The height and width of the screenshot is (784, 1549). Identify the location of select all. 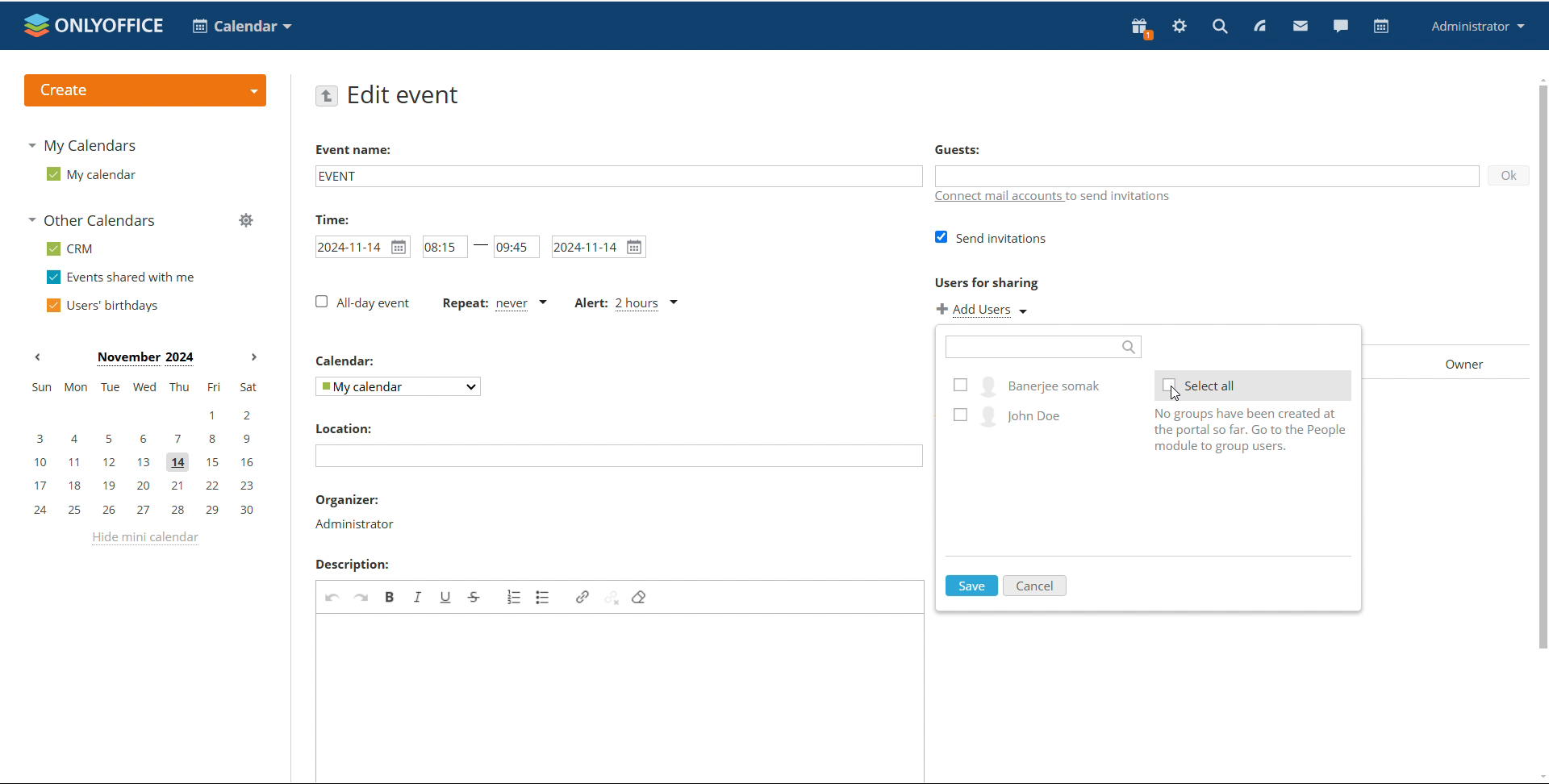
(1254, 385).